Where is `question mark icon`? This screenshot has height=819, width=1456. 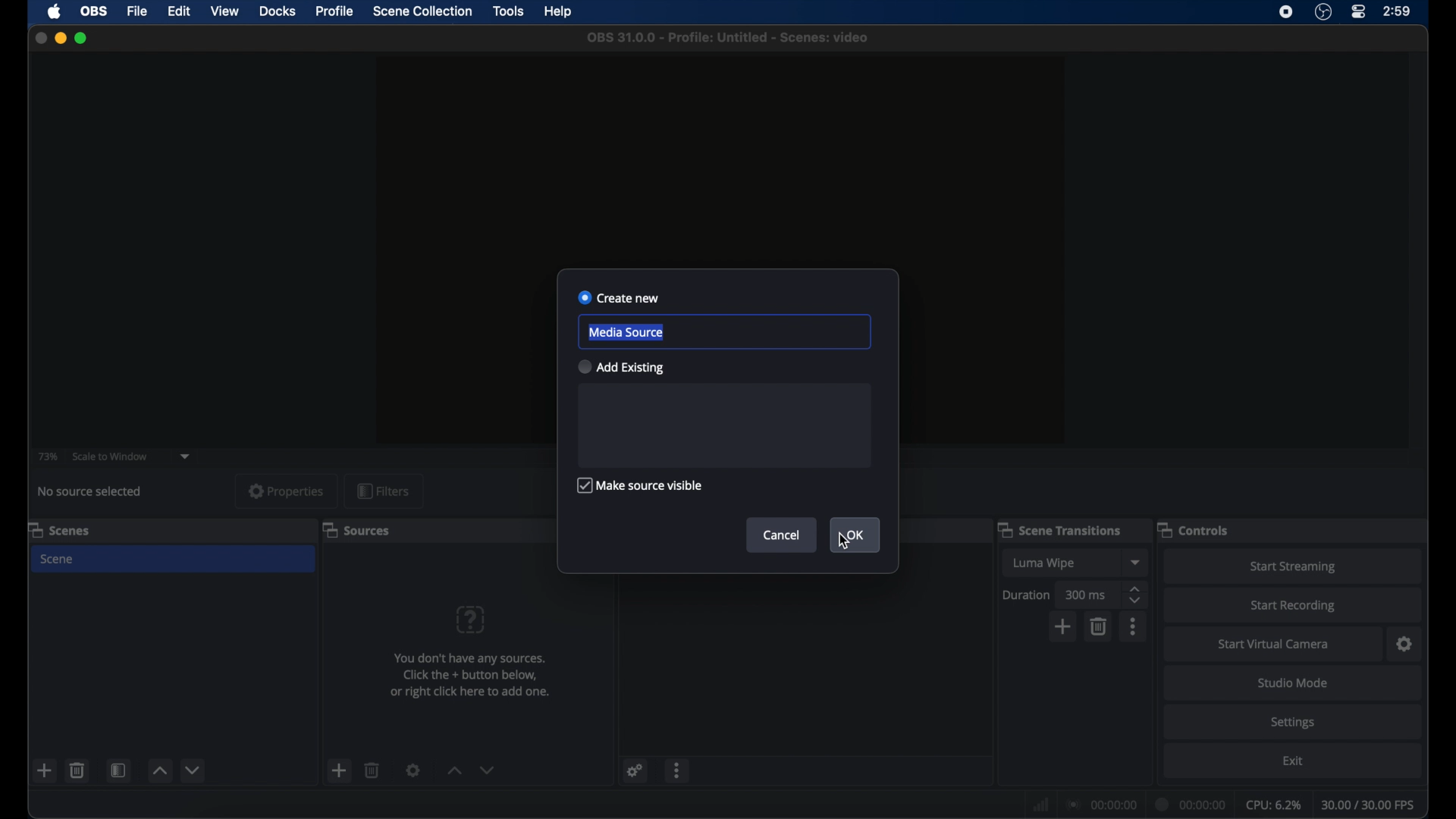
question mark icon is located at coordinates (470, 620).